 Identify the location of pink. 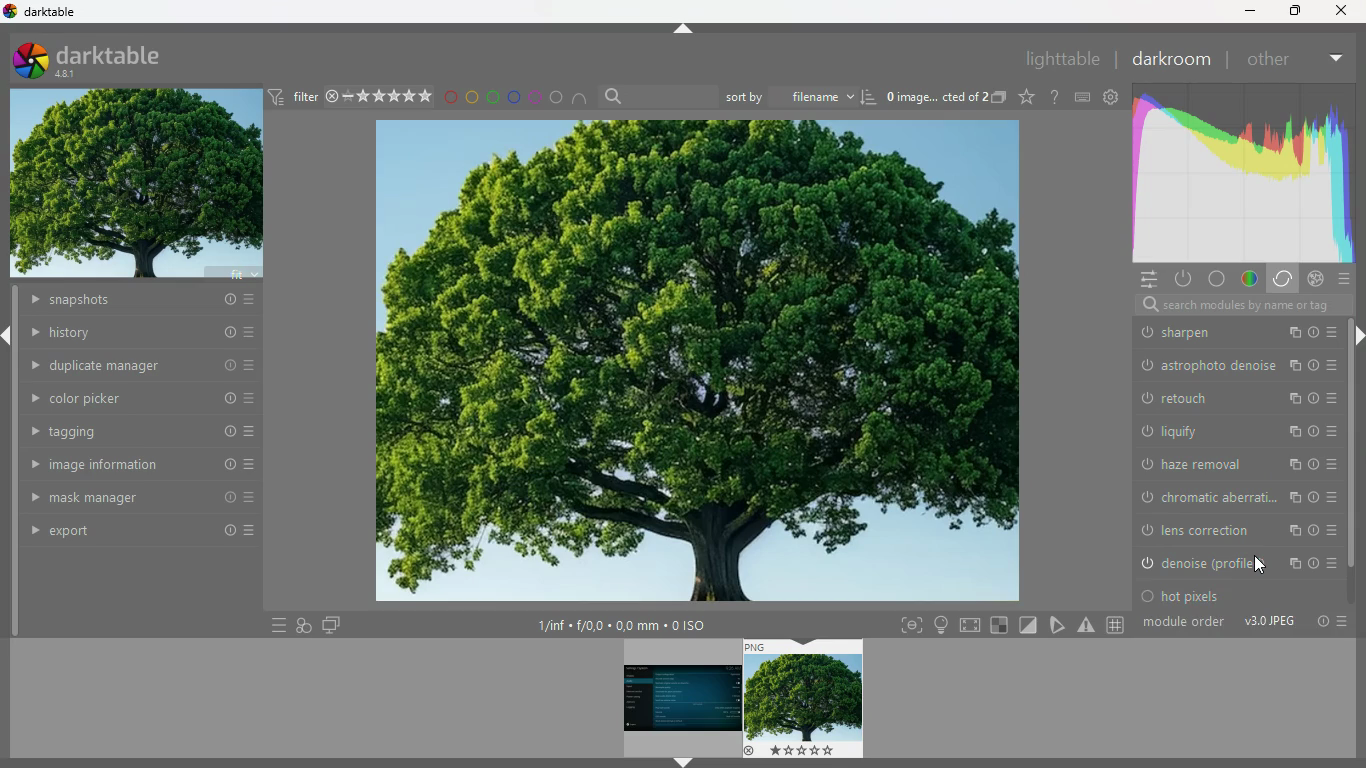
(535, 97).